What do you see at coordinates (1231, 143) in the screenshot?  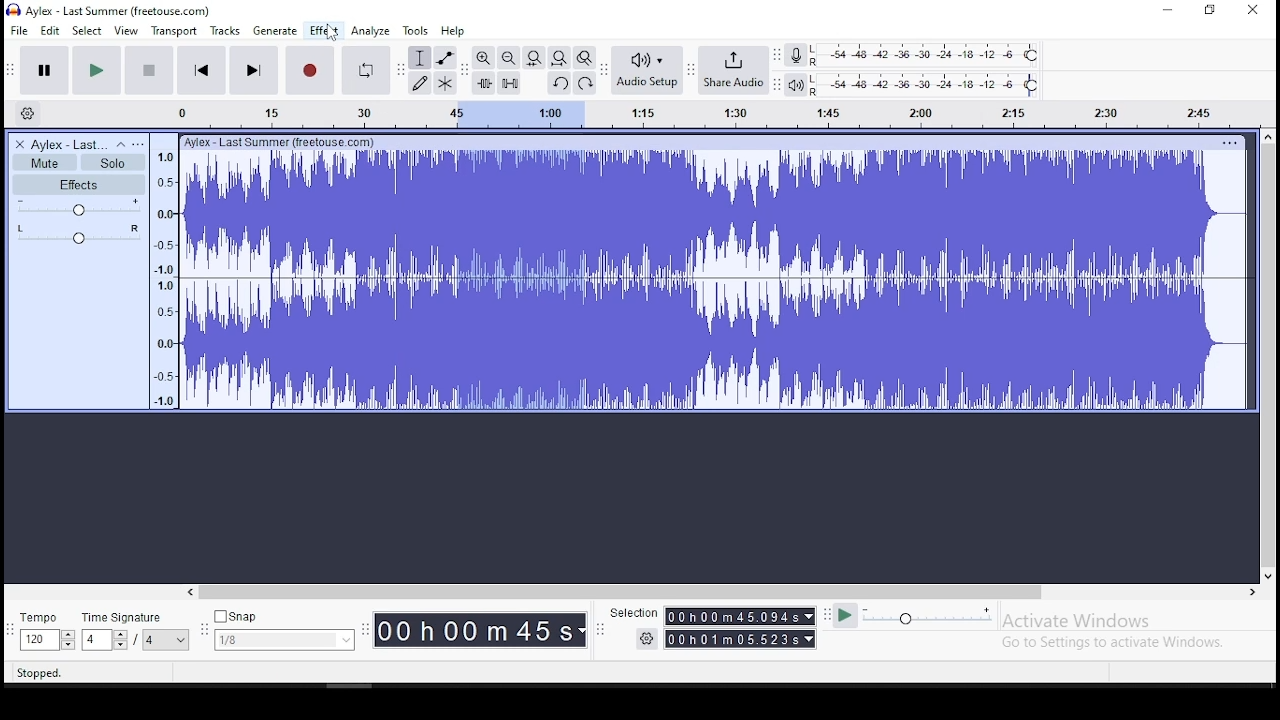 I see `track options` at bounding box center [1231, 143].